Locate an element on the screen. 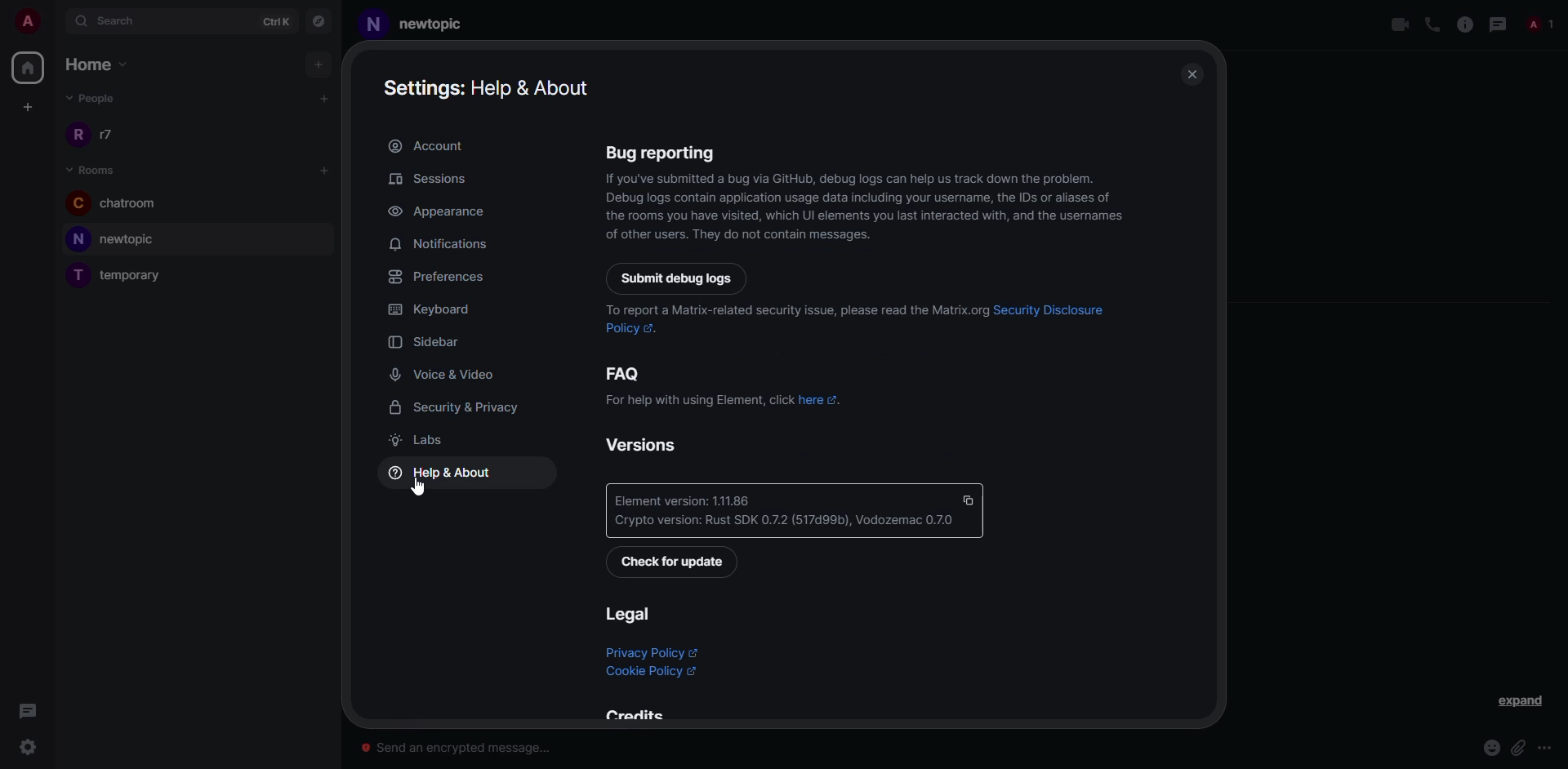 Image resolution: width=1568 pixels, height=769 pixels. click is located at coordinates (30, 748).